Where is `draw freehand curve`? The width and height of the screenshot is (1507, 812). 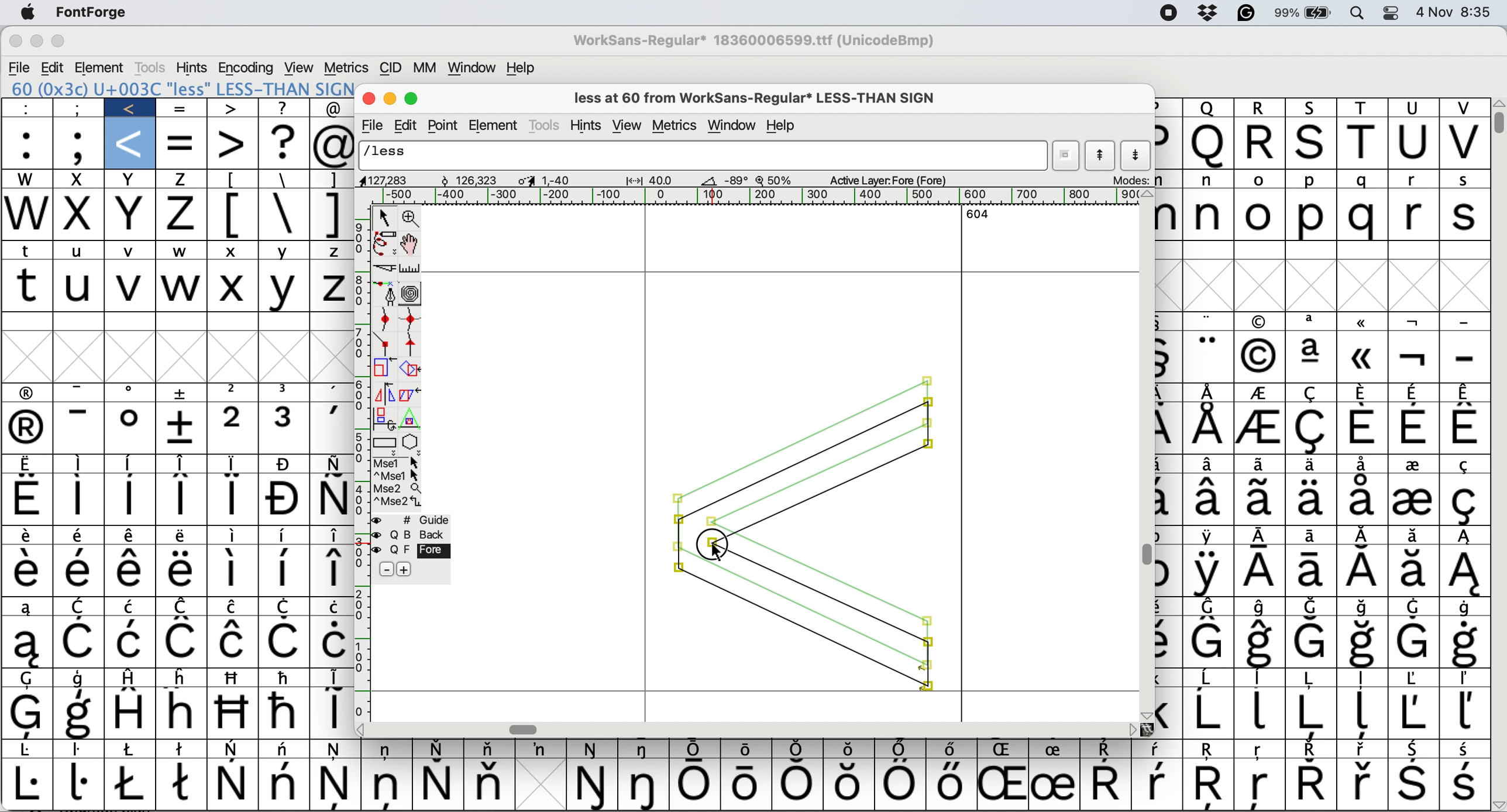 draw freehand curve is located at coordinates (385, 243).